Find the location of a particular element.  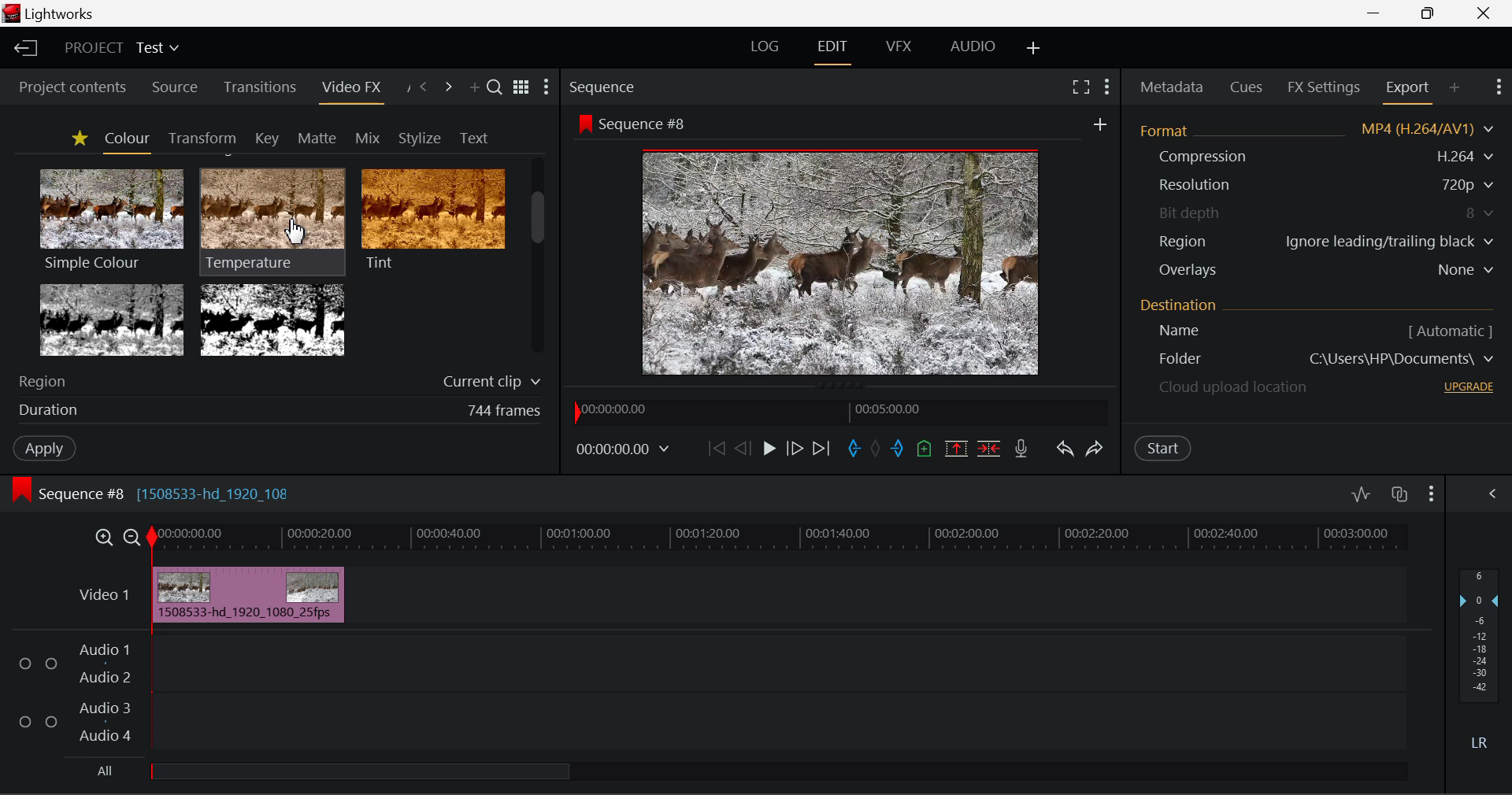

Video 1 is located at coordinates (103, 595).